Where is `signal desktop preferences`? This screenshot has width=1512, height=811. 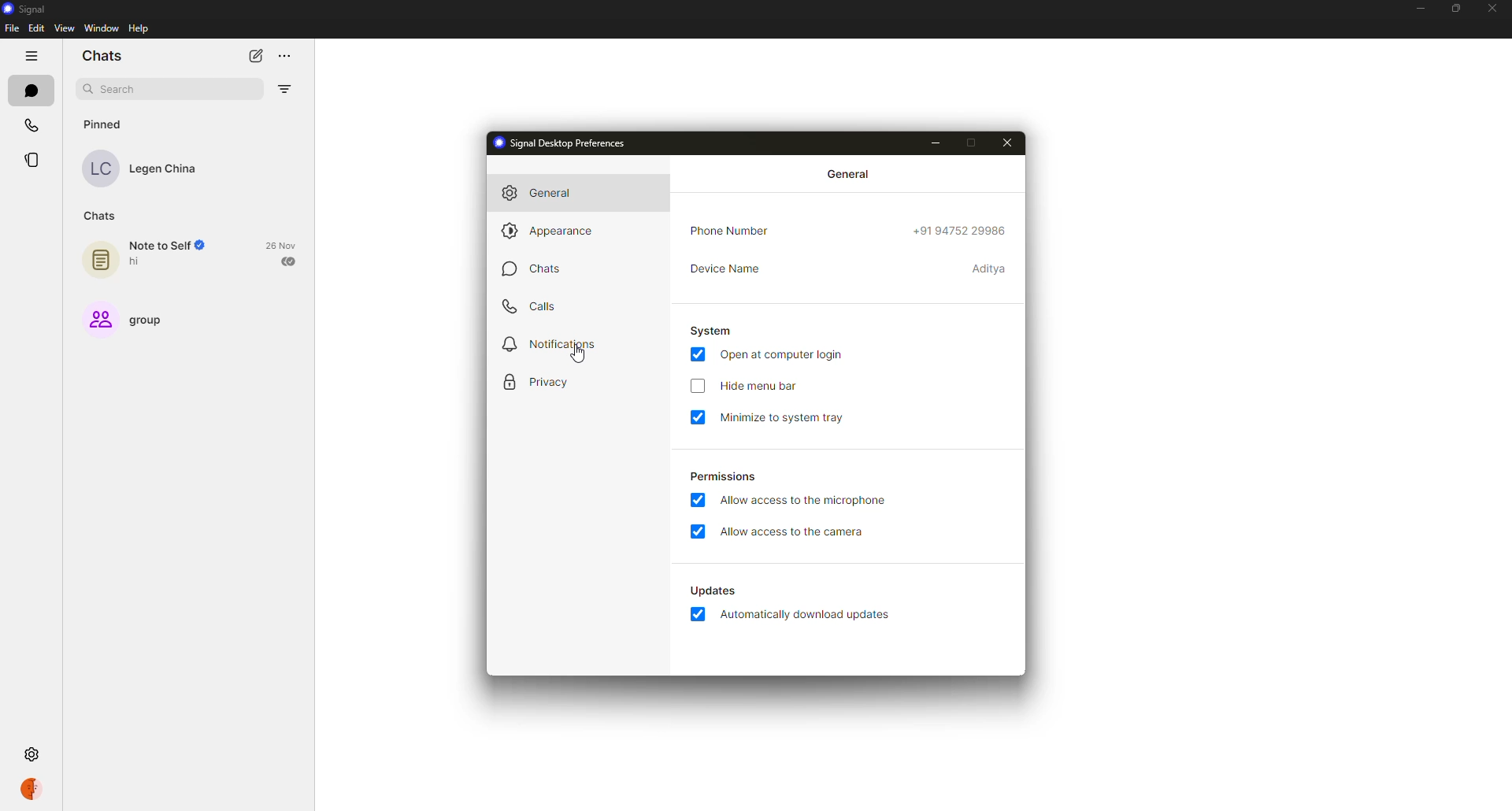
signal desktop preferences is located at coordinates (569, 142).